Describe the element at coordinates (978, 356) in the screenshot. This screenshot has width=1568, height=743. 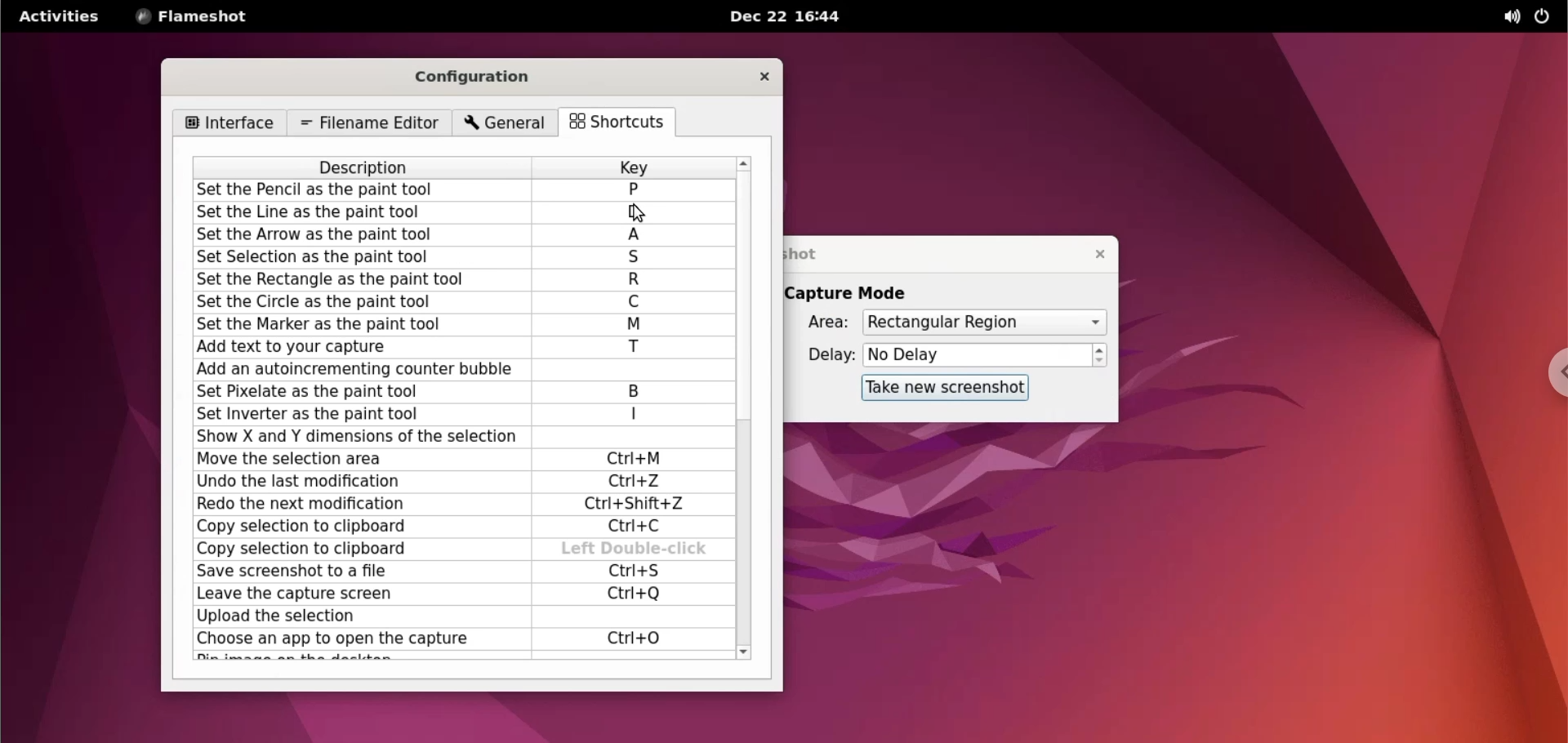
I see `delay time input box` at that location.